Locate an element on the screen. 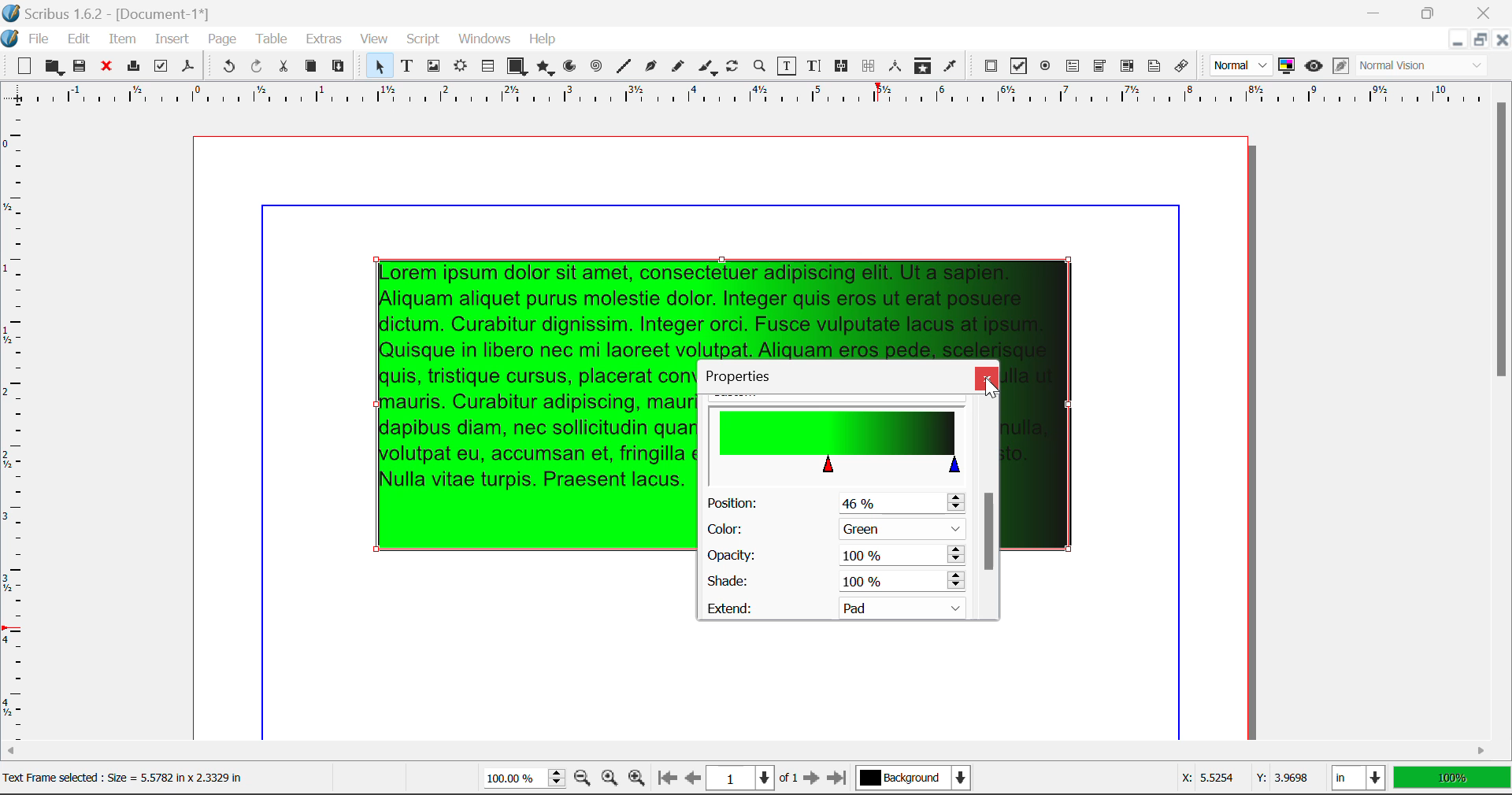 The image size is (1512, 795). Edit Text with Story Editor is located at coordinates (817, 66).